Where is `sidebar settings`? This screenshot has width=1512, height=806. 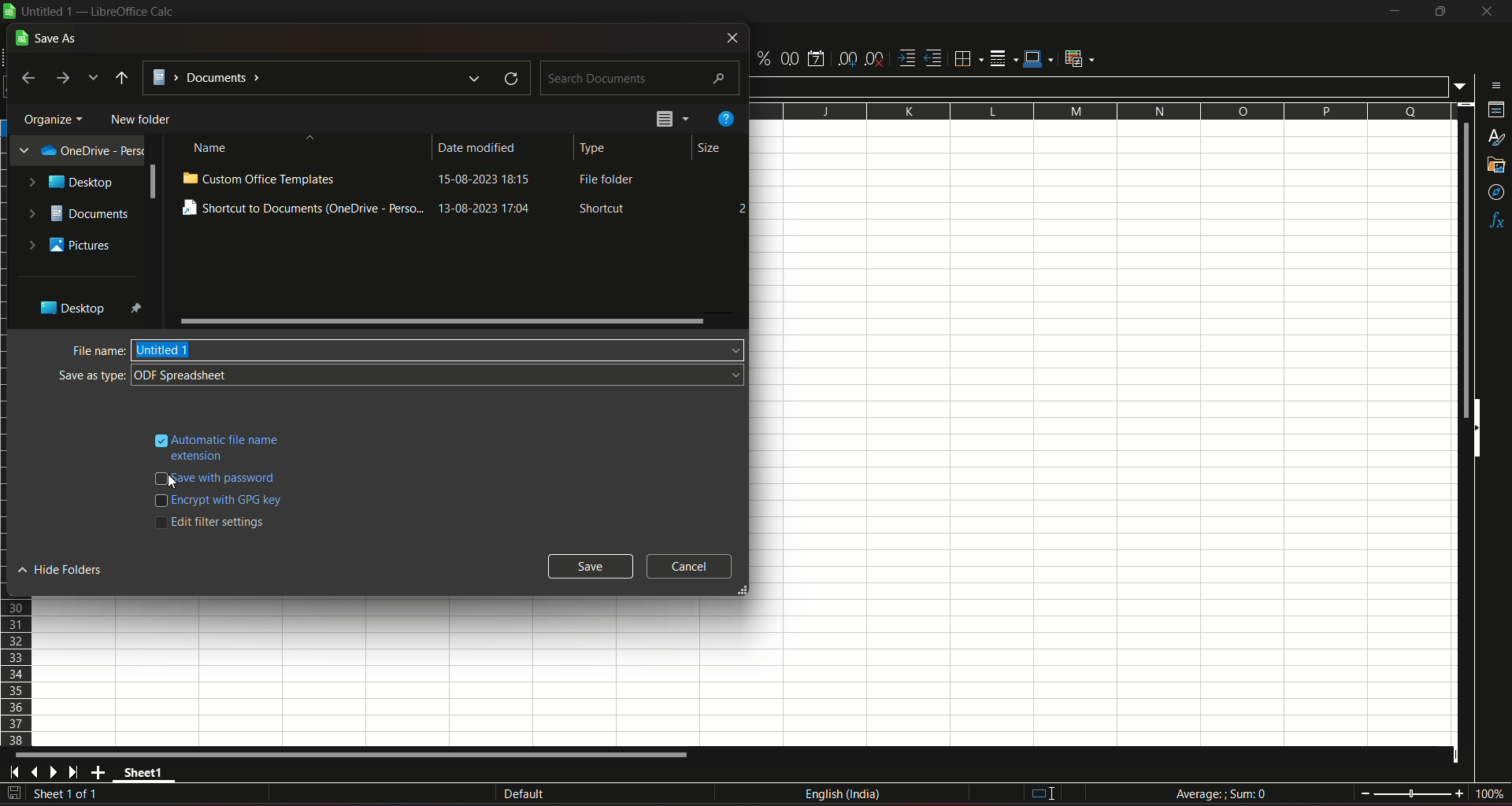 sidebar settings is located at coordinates (1492, 84).